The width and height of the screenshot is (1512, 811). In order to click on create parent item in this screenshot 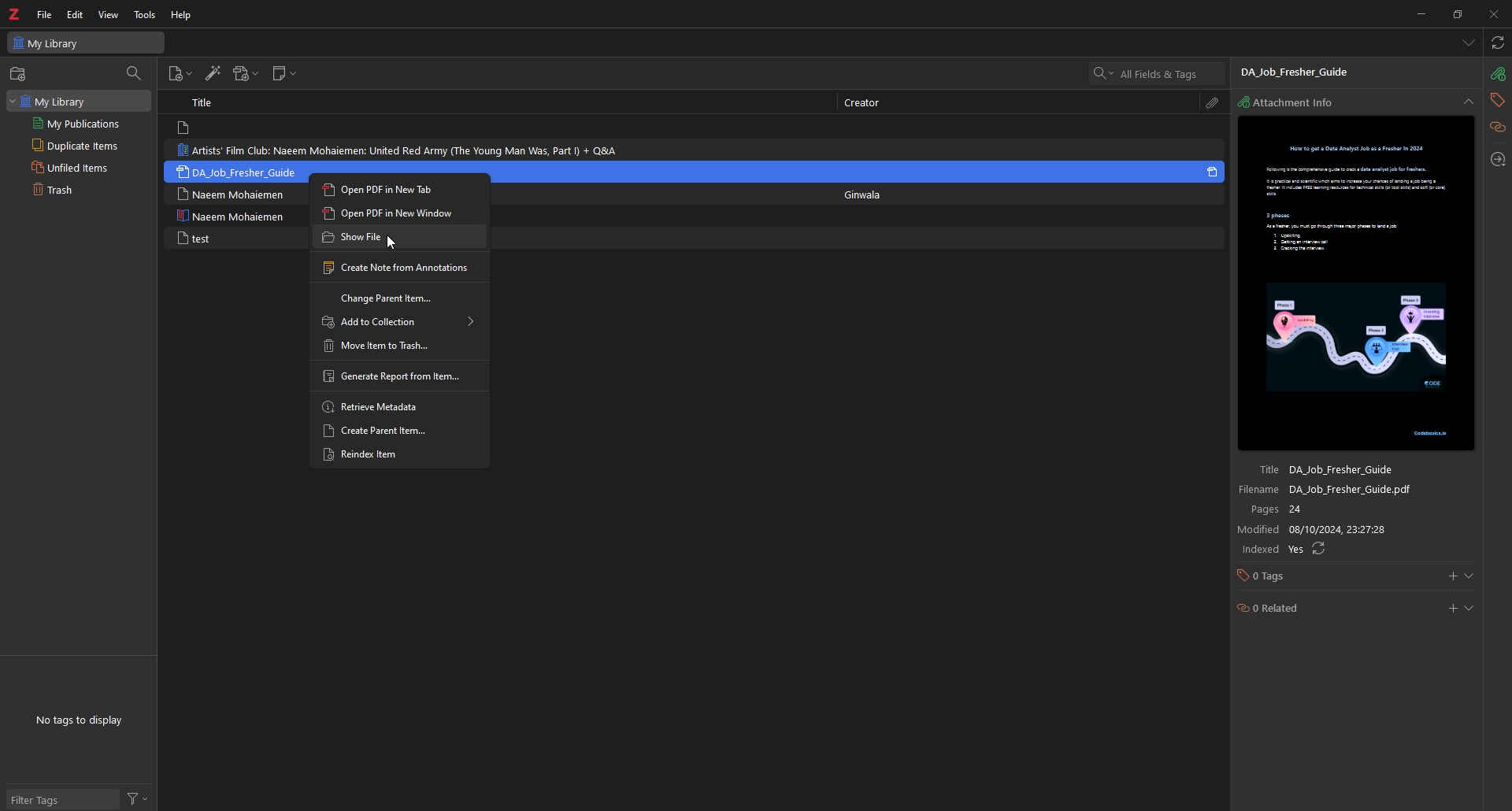, I will do `click(393, 431)`.